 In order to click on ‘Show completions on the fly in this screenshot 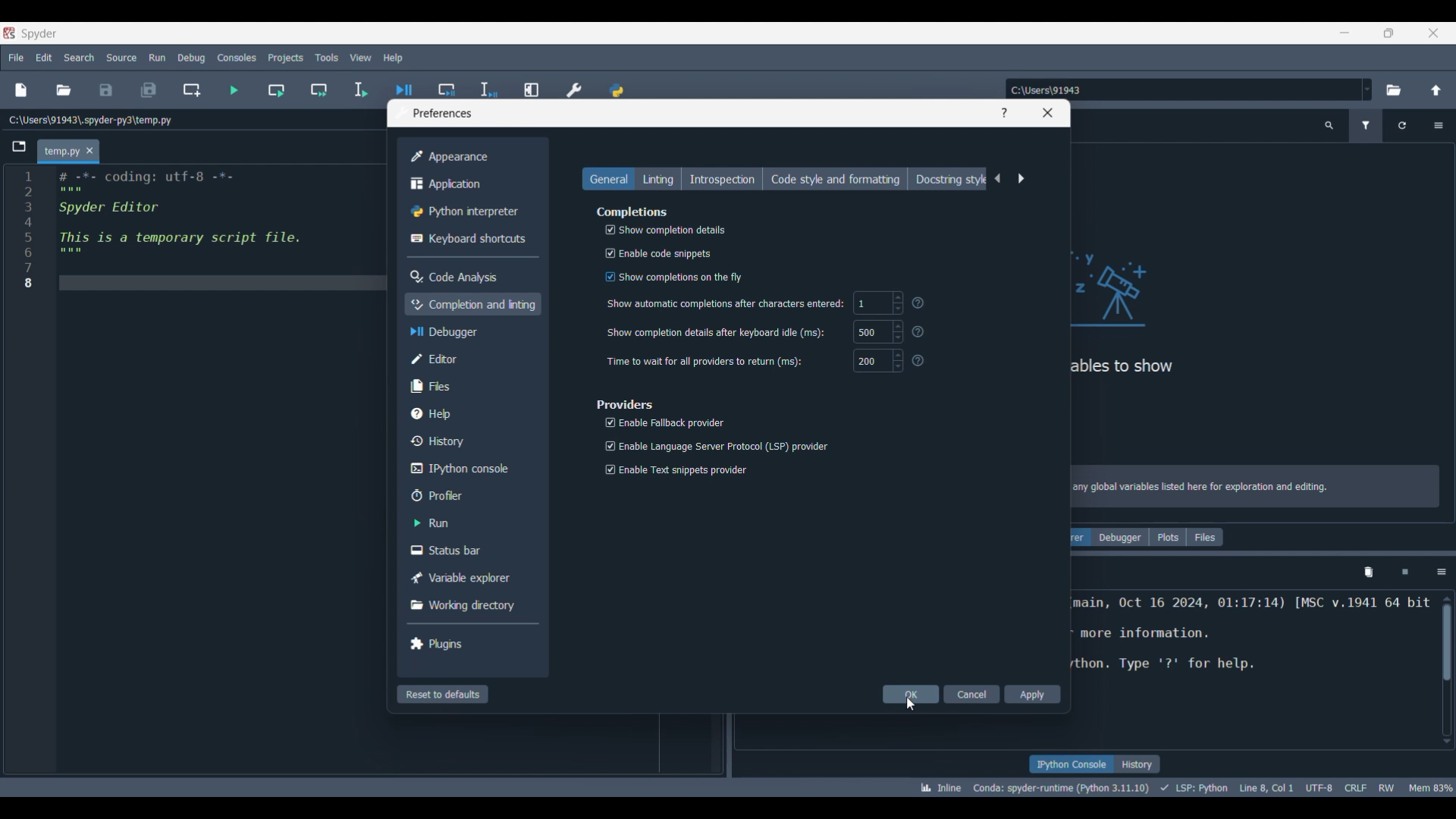, I will do `click(676, 277)`.